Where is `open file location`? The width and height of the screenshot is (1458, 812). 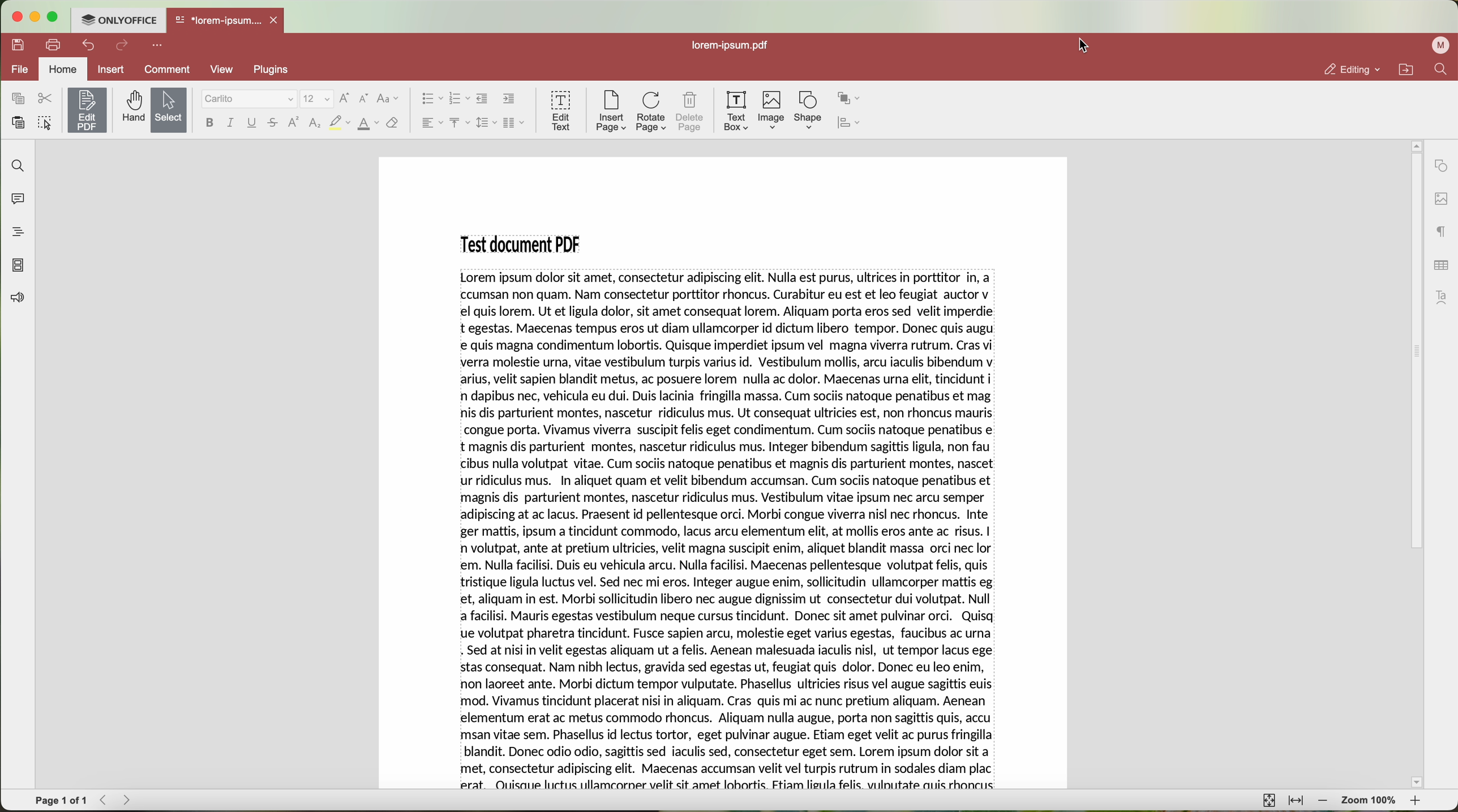
open file location is located at coordinates (1405, 69).